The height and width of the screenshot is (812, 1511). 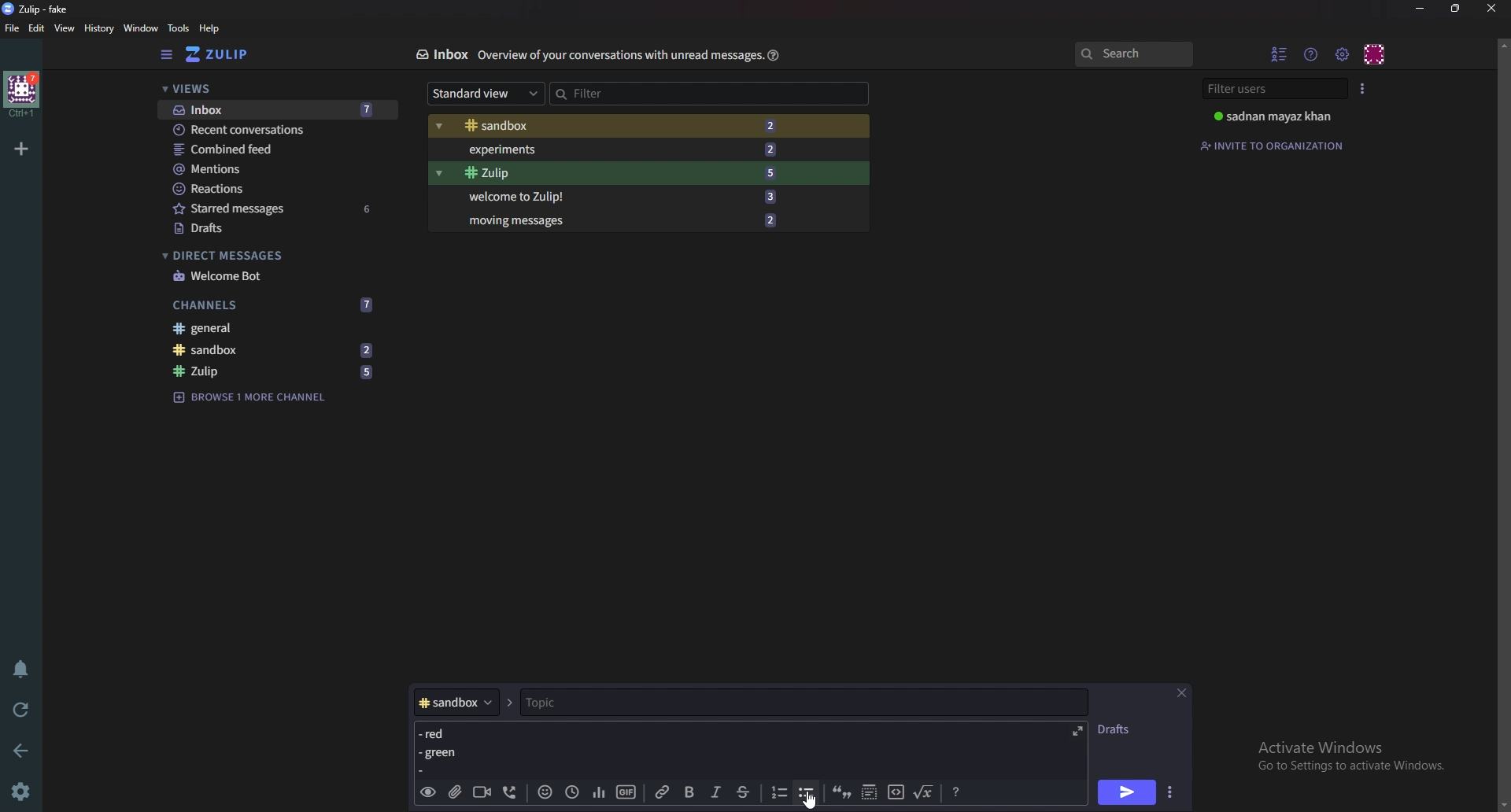 What do you see at coordinates (1182, 694) in the screenshot?
I see `Close message` at bounding box center [1182, 694].